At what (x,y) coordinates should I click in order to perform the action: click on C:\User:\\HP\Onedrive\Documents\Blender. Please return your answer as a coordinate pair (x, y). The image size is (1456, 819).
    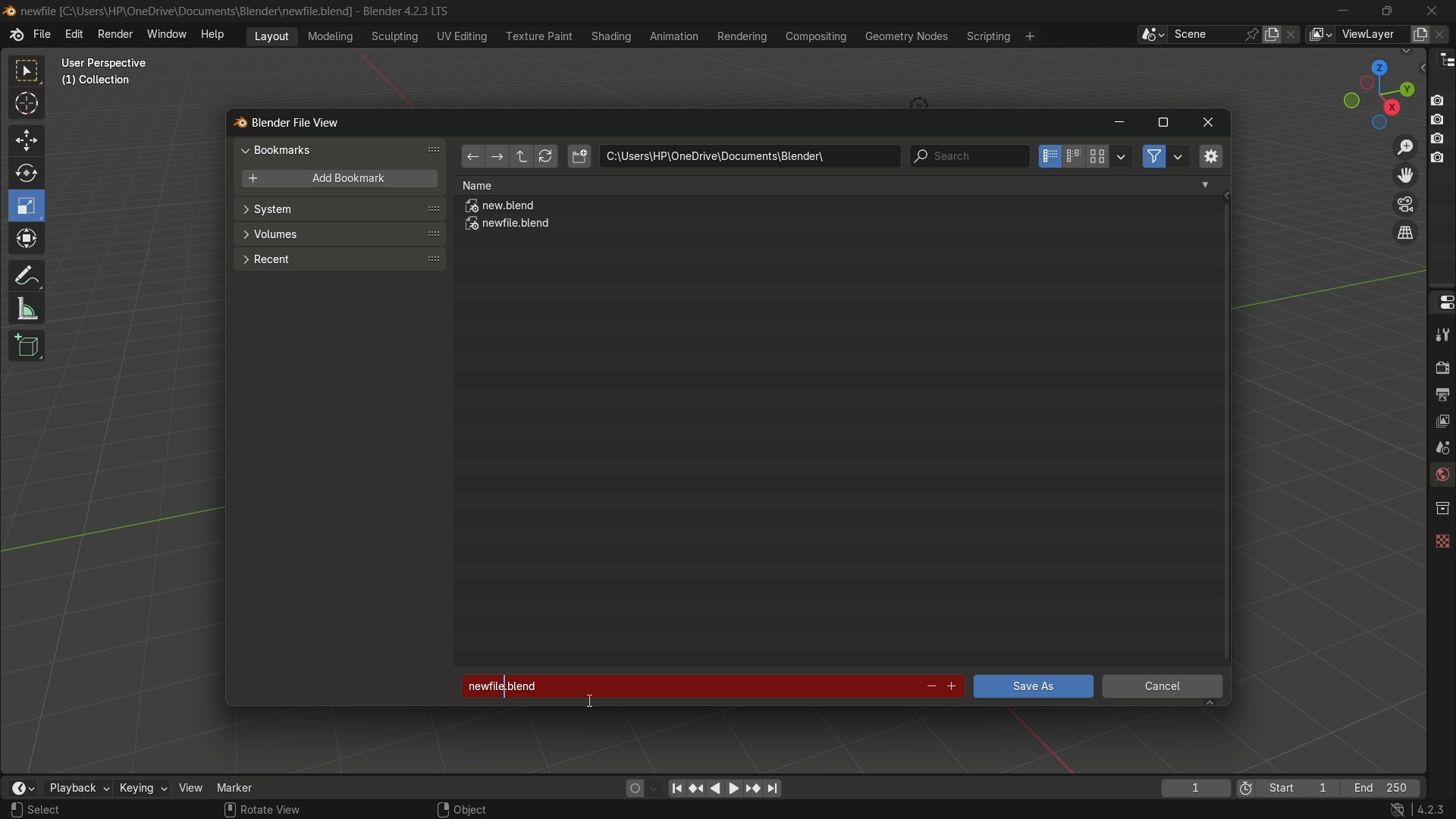
    Looking at the image, I should click on (187, 11).